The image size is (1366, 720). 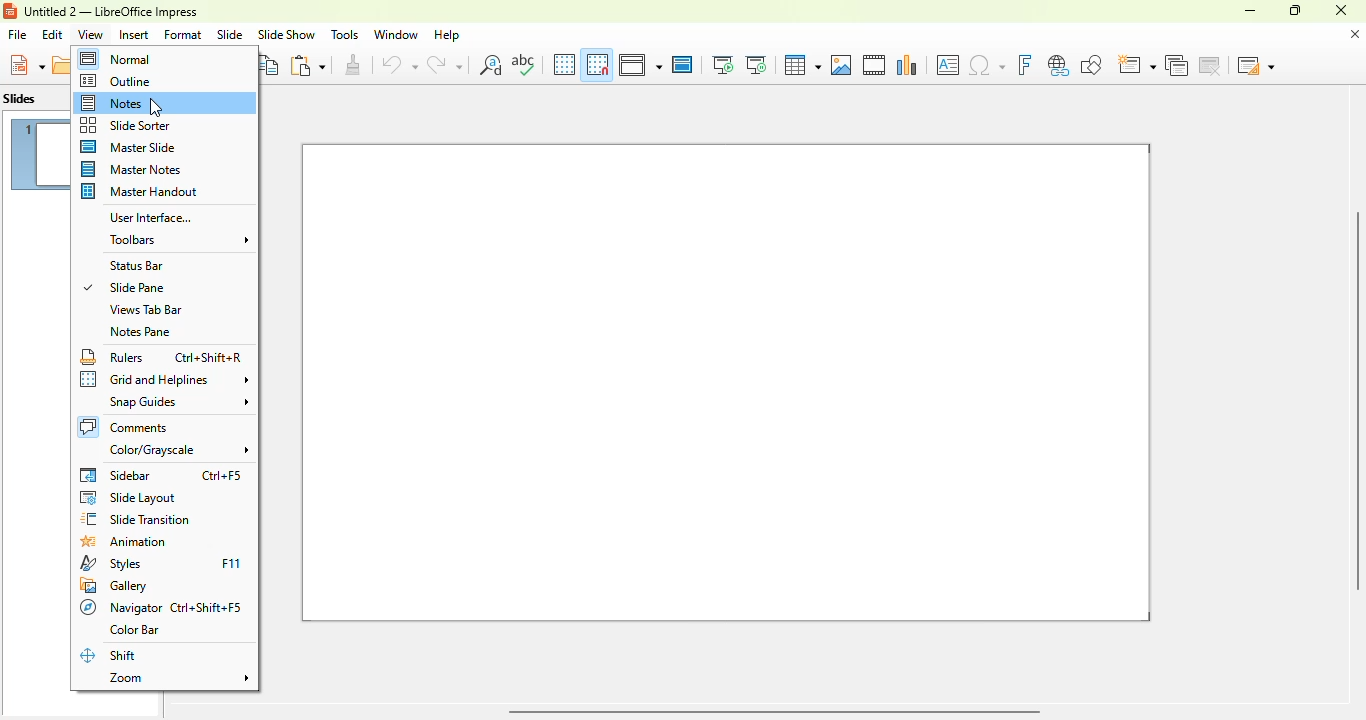 I want to click on toolbars, so click(x=178, y=240).